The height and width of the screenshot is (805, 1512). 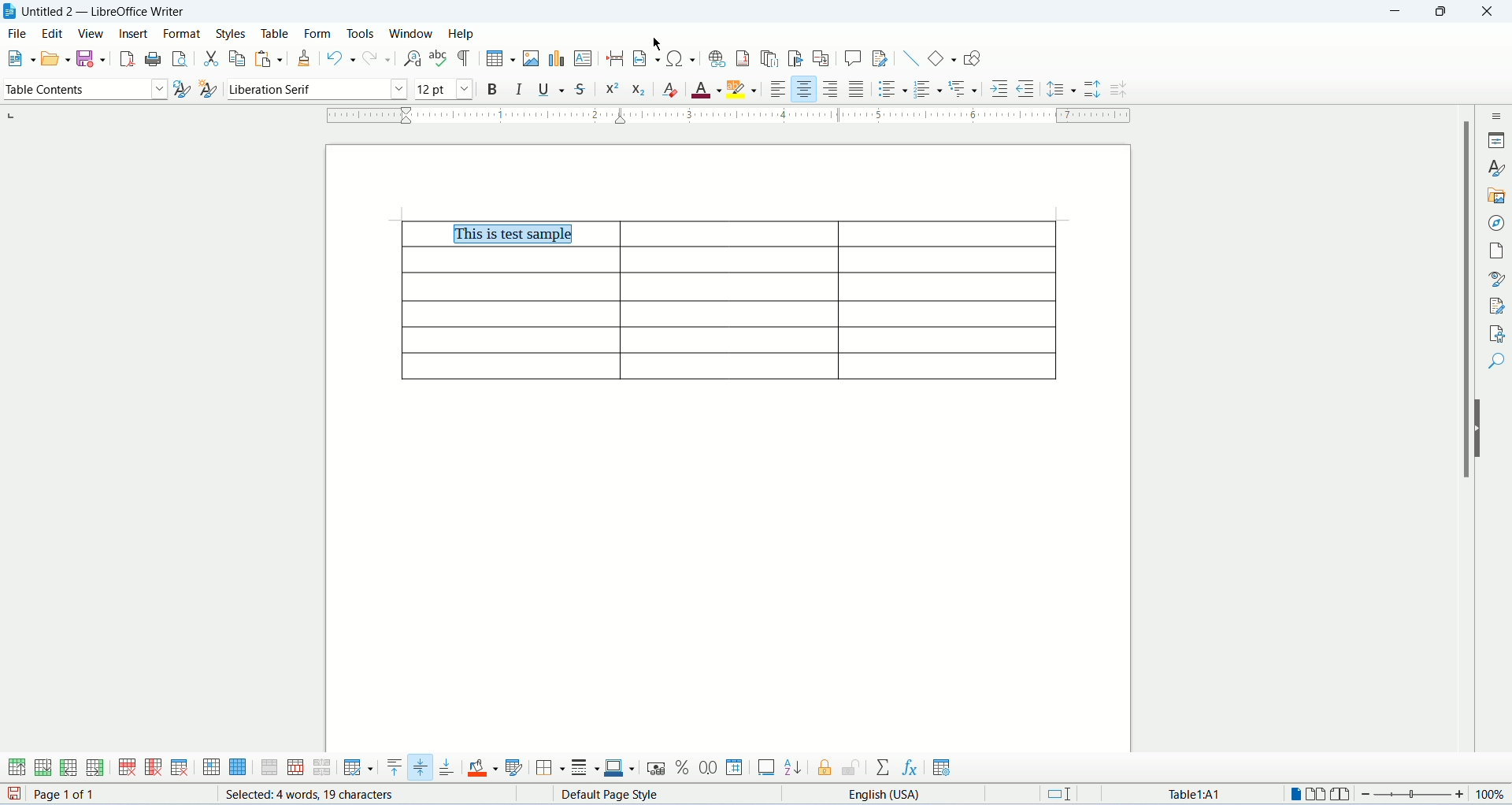 What do you see at coordinates (392, 769) in the screenshot?
I see `align top` at bounding box center [392, 769].